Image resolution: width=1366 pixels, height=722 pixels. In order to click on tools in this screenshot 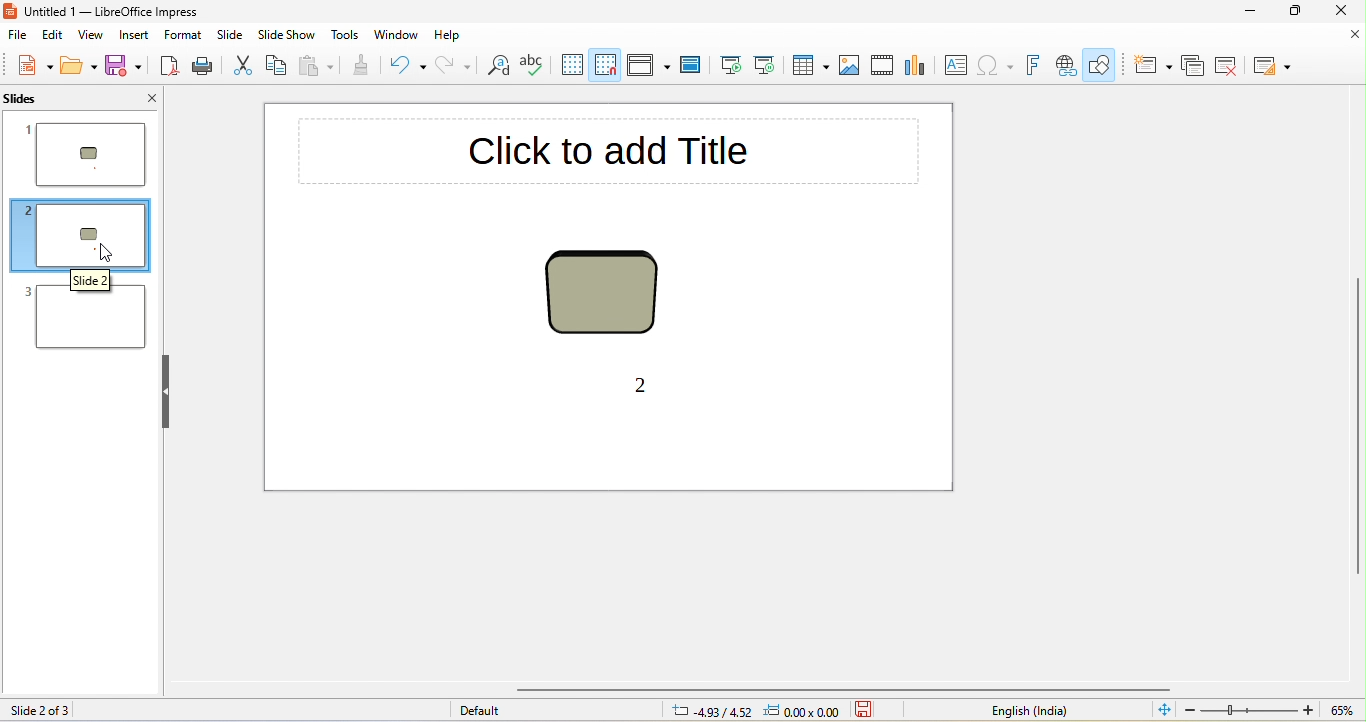, I will do `click(346, 35)`.